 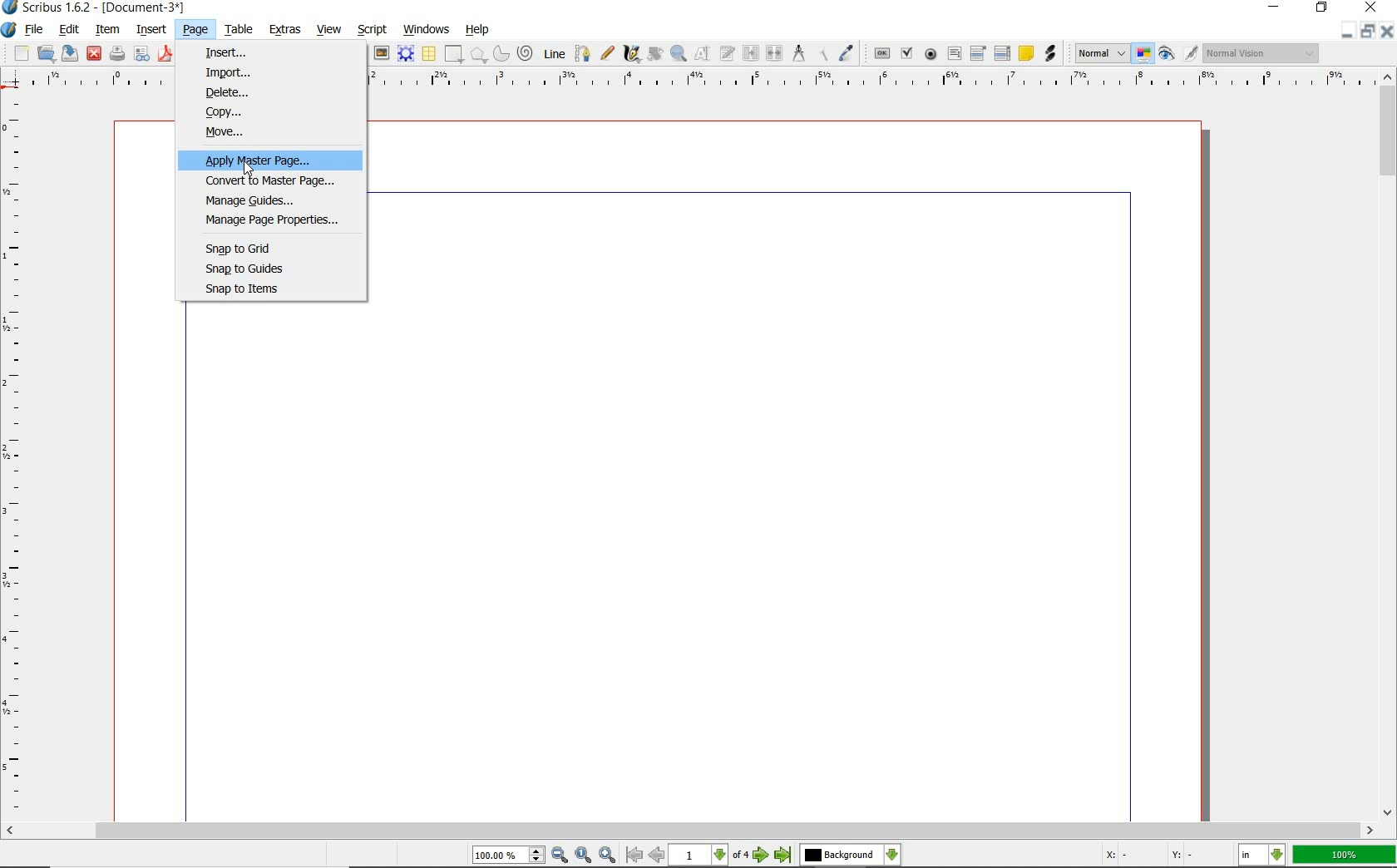 What do you see at coordinates (583, 53) in the screenshot?
I see `Bezier curve` at bounding box center [583, 53].